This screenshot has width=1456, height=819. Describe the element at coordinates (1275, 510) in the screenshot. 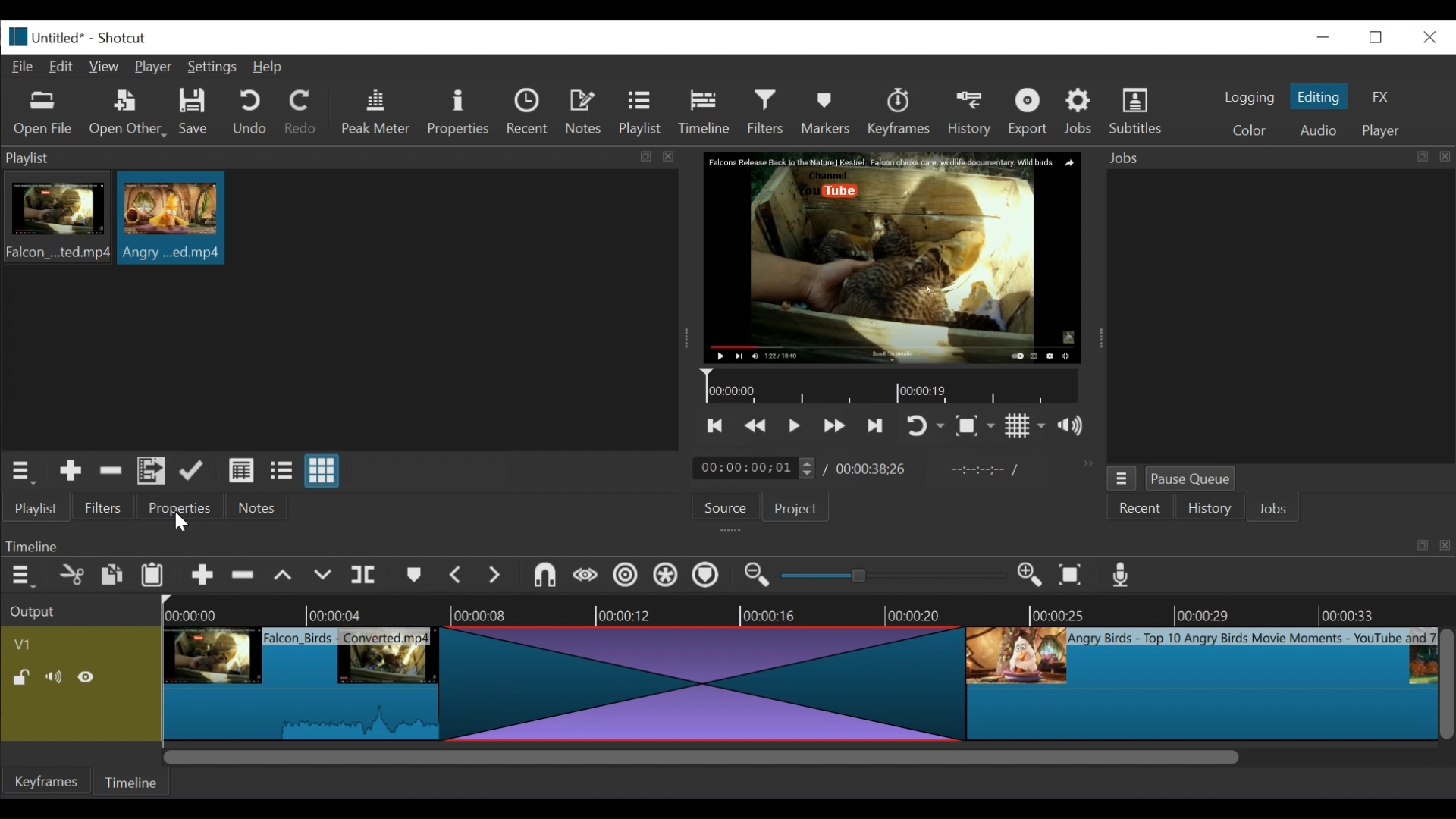

I see `JOBS` at that location.